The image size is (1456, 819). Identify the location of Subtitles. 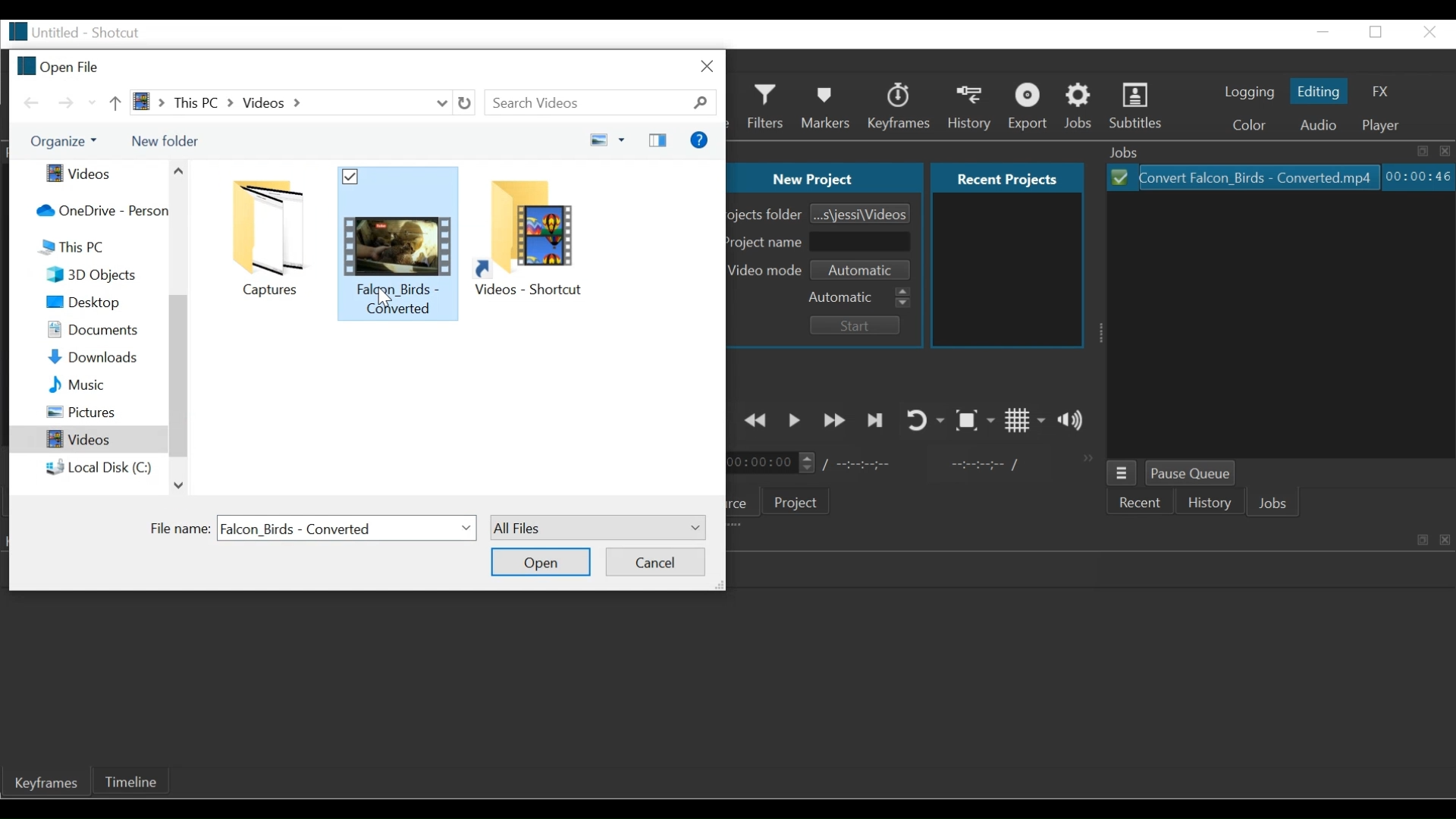
(1138, 106).